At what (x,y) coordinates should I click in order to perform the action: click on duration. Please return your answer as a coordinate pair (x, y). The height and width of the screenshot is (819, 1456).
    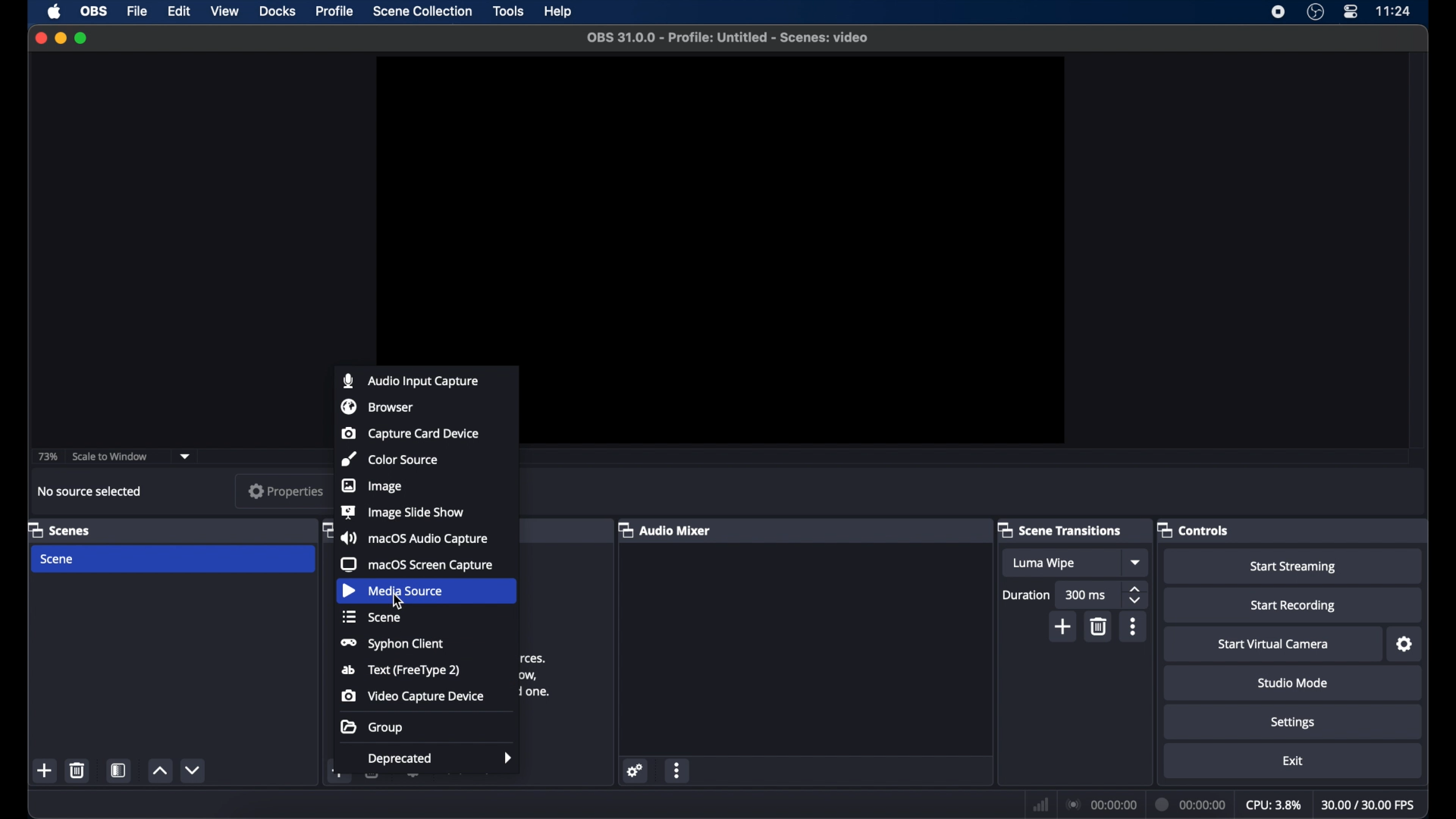
    Looking at the image, I should click on (1191, 805).